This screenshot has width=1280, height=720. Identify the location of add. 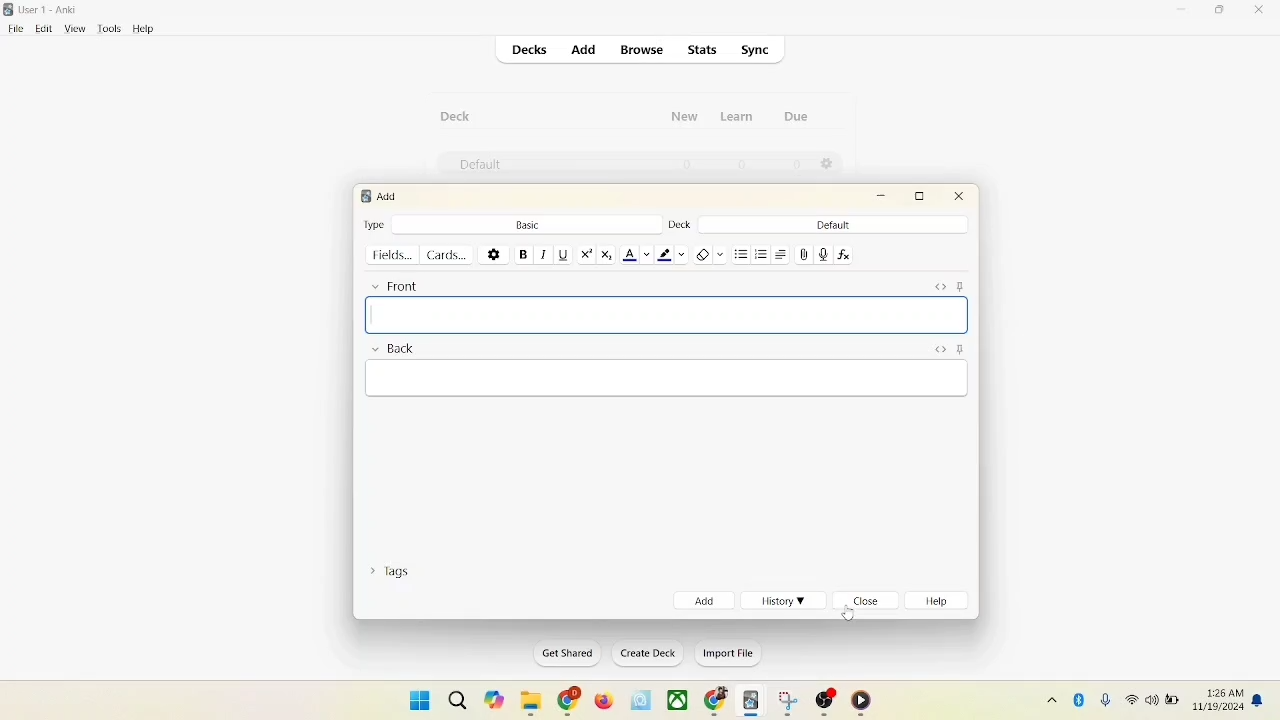
(702, 600).